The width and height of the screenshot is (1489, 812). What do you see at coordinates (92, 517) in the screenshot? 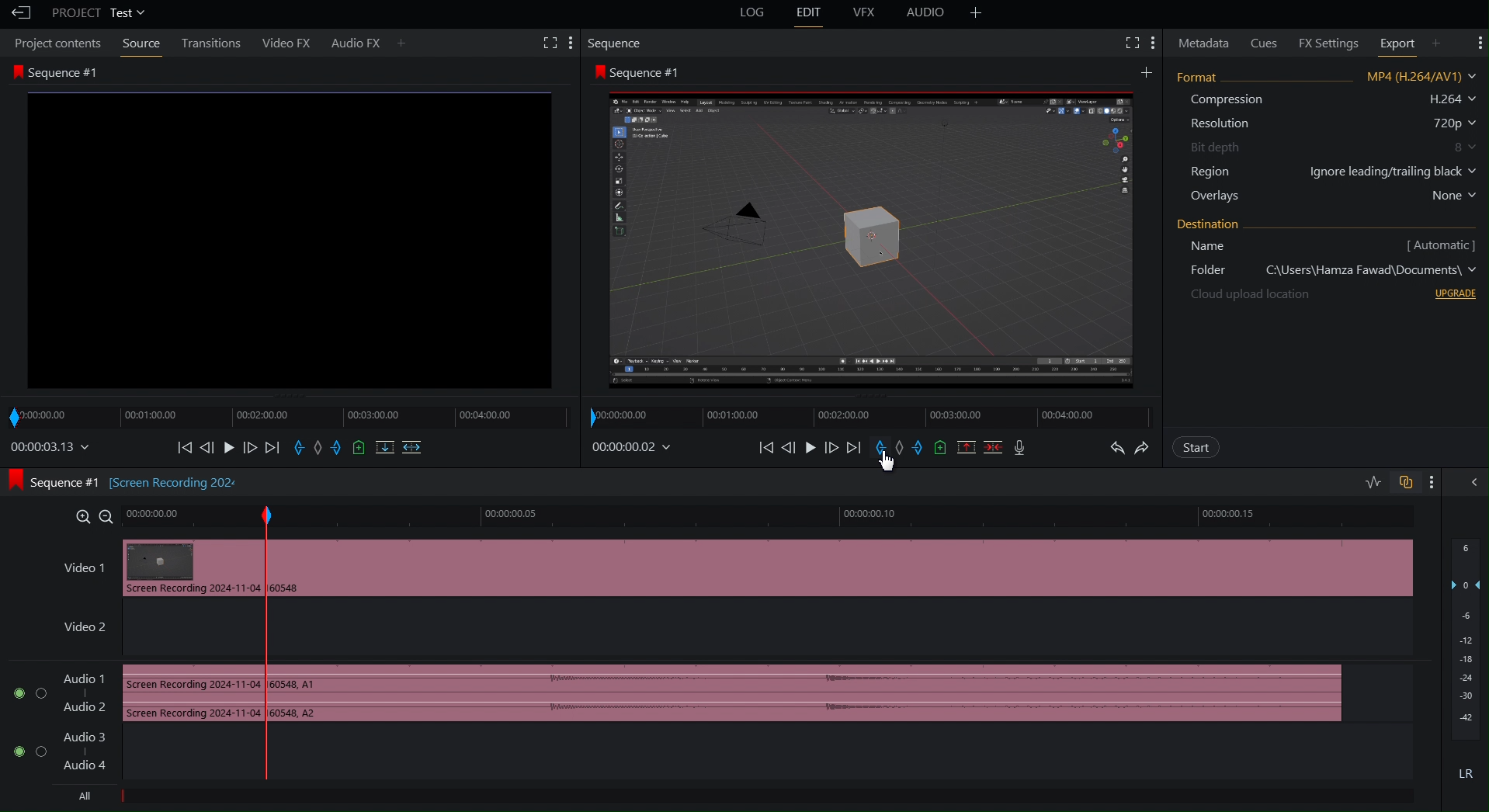
I see `Zoom` at bounding box center [92, 517].